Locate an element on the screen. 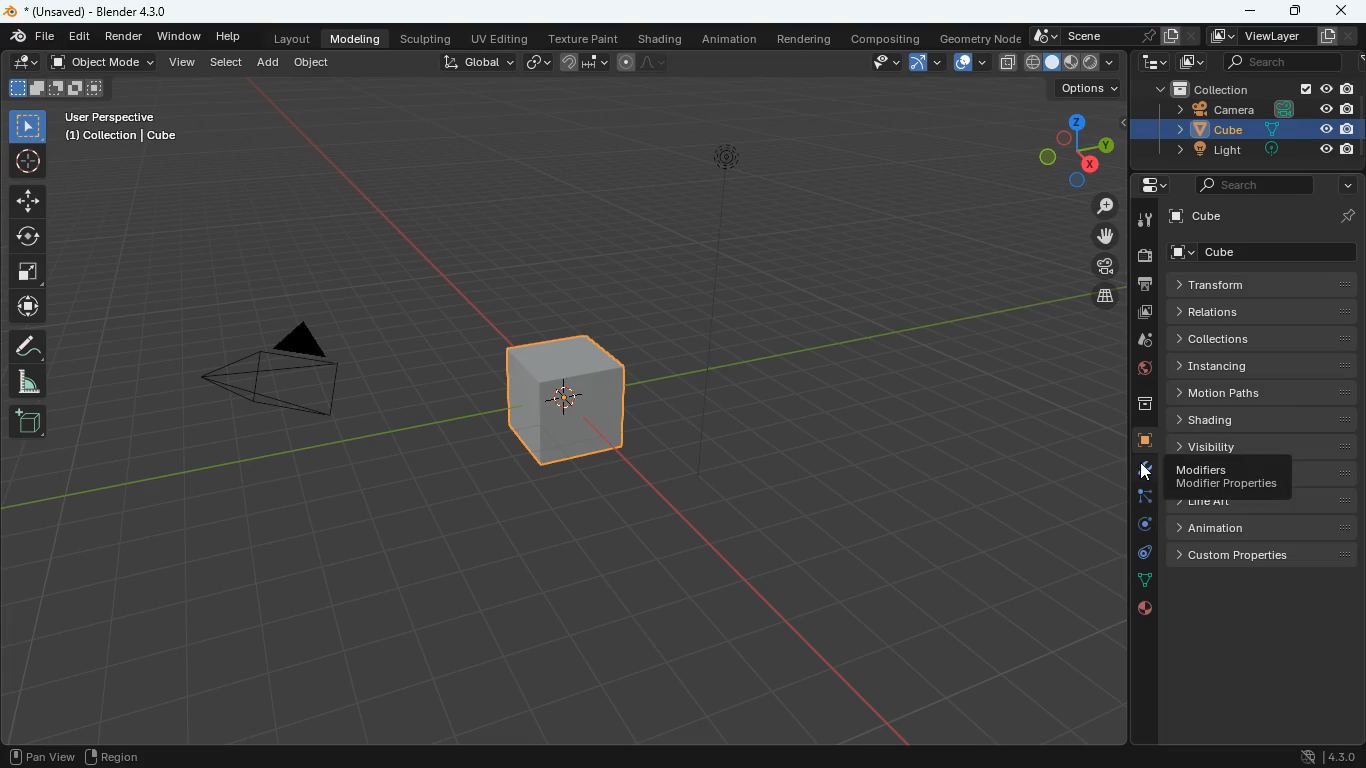 This screenshot has height=768, width=1366. arc is located at coordinates (925, 62).